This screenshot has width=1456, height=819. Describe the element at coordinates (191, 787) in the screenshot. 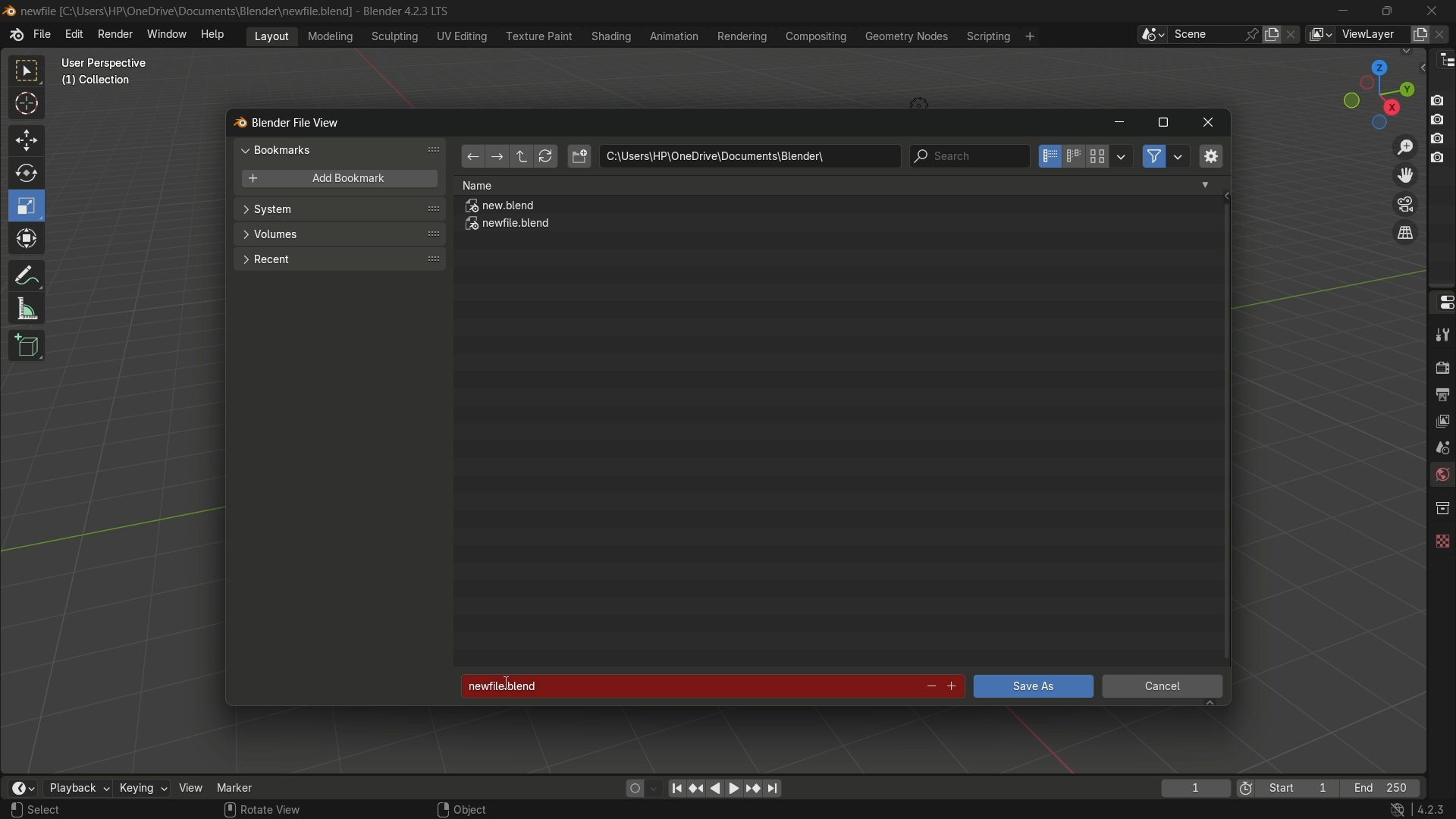

I see `view` at that location.